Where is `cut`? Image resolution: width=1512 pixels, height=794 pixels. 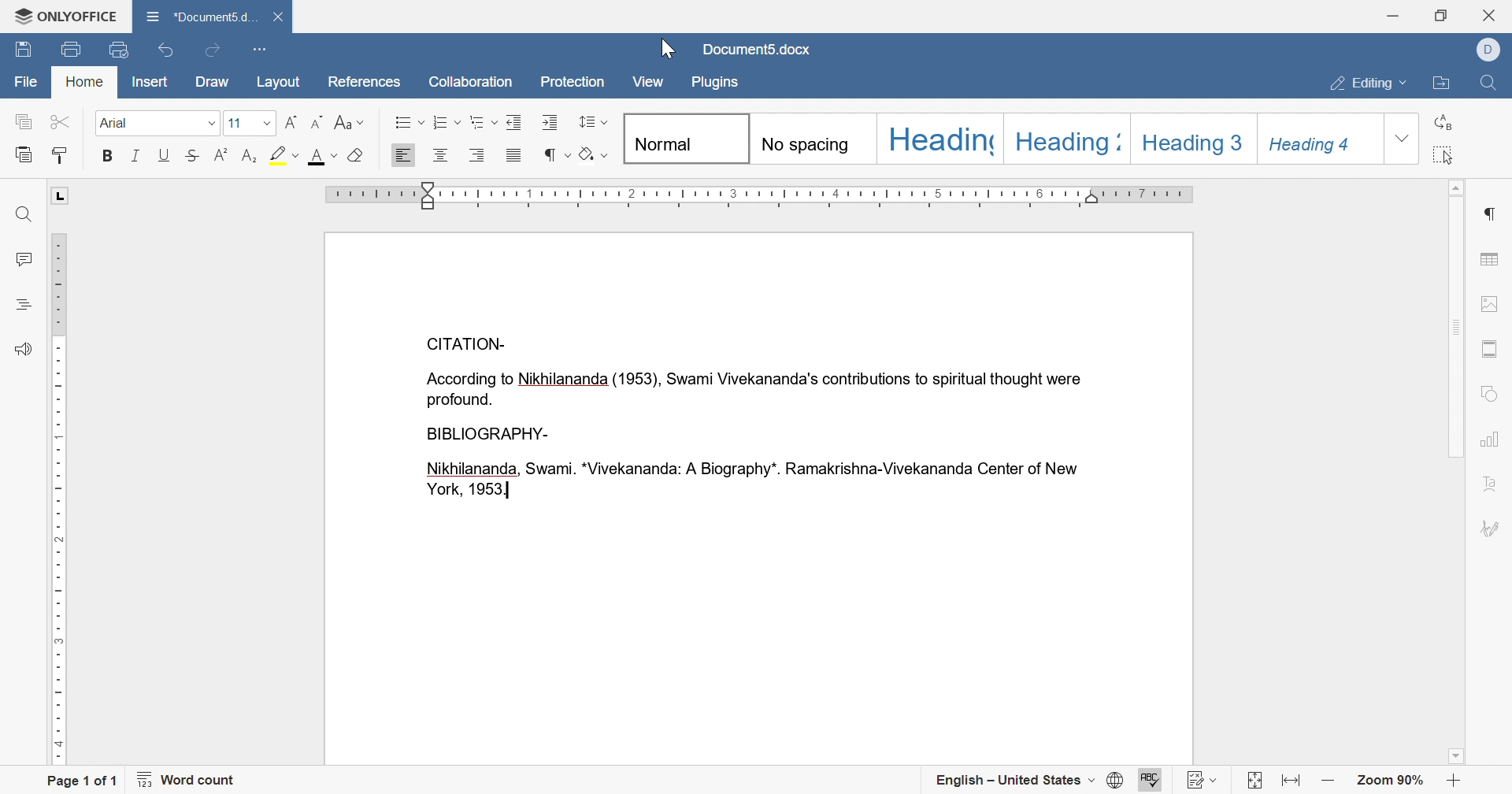 cut is located at coordinates (63, 121).